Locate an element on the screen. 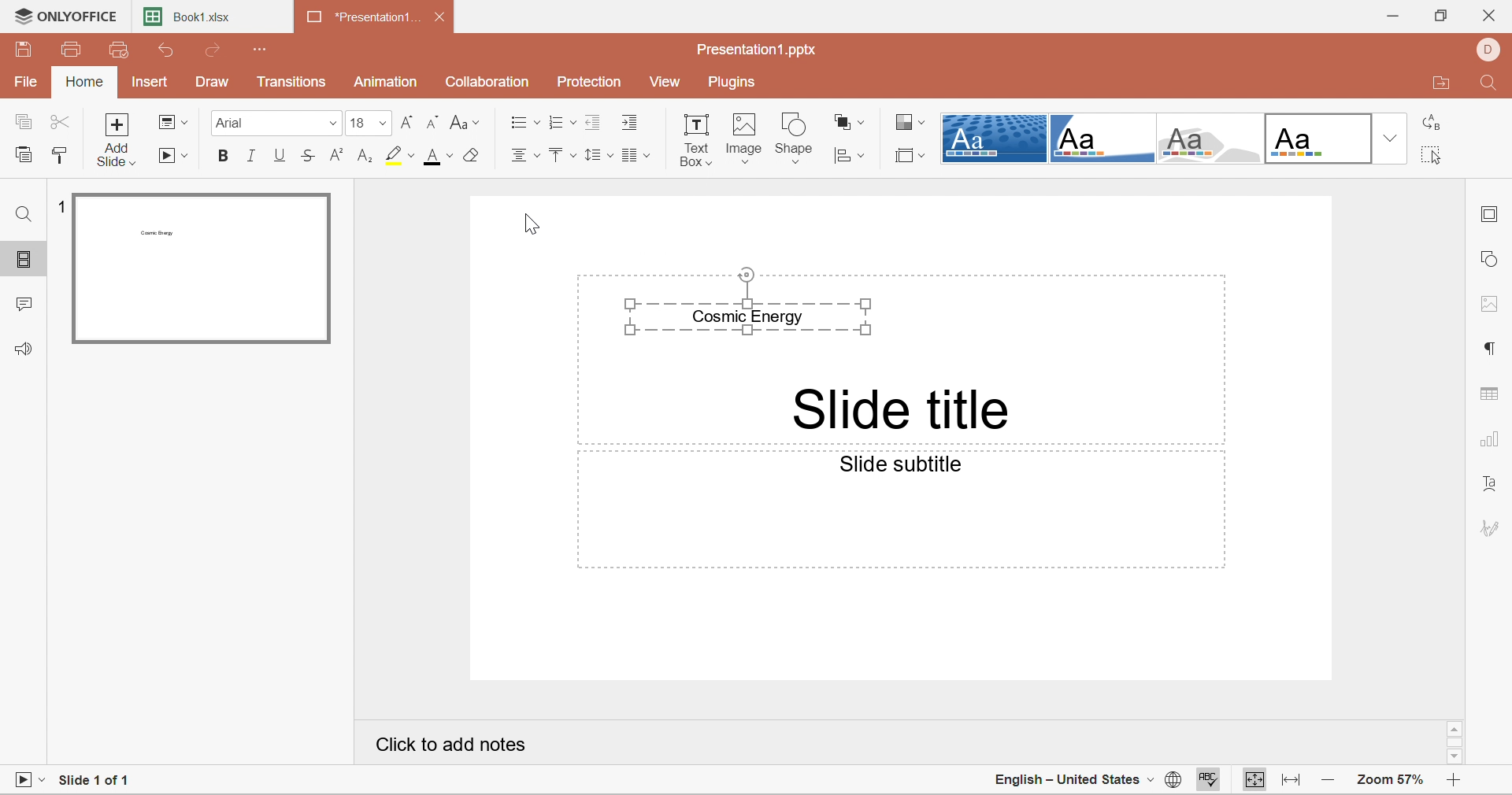  Shape is located at coordinates (795, 137).